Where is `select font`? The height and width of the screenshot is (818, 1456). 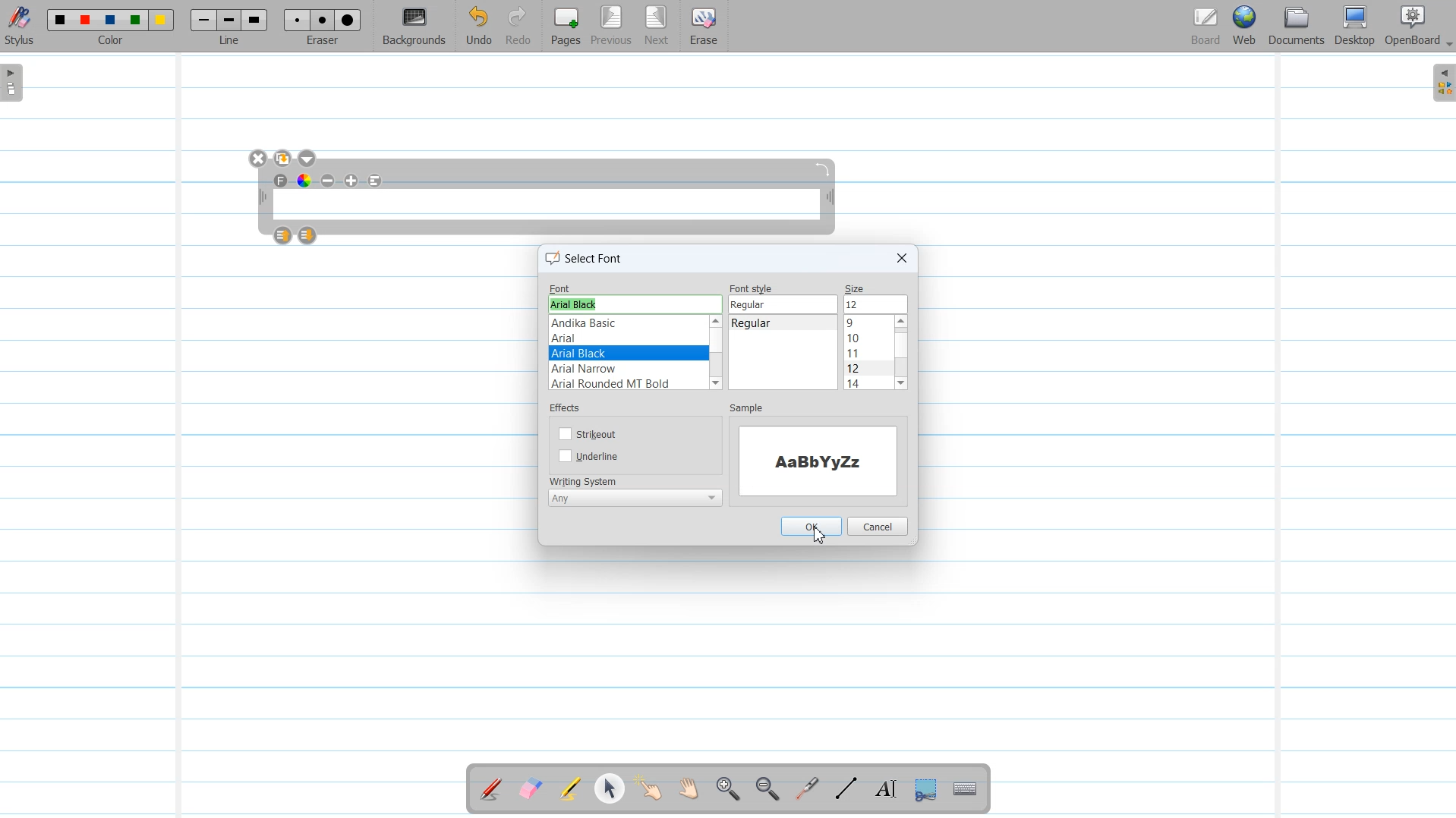 select font is located at coordinates (588, 260).